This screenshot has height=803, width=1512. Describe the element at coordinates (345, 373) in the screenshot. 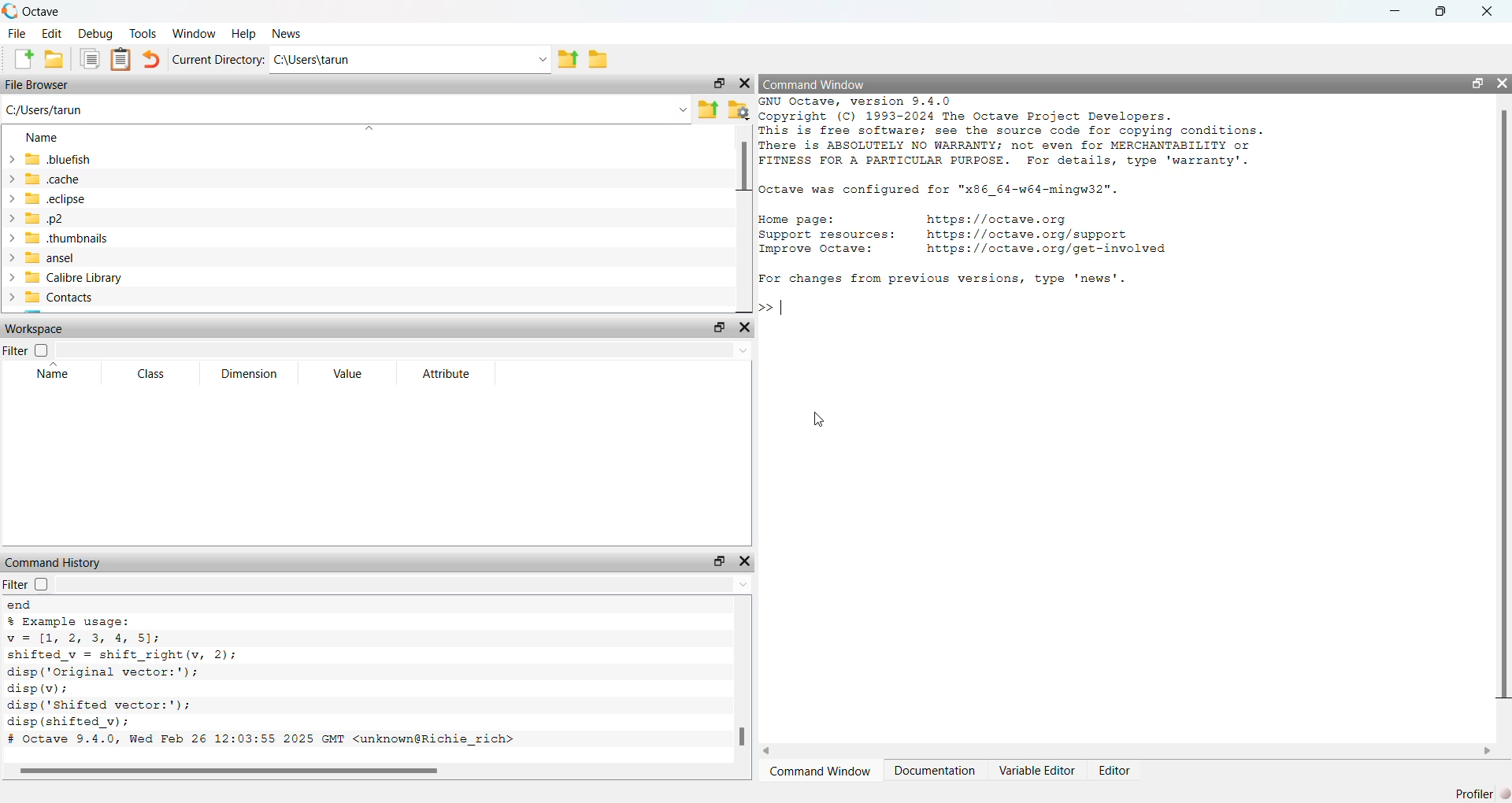

I see `value` at that location.